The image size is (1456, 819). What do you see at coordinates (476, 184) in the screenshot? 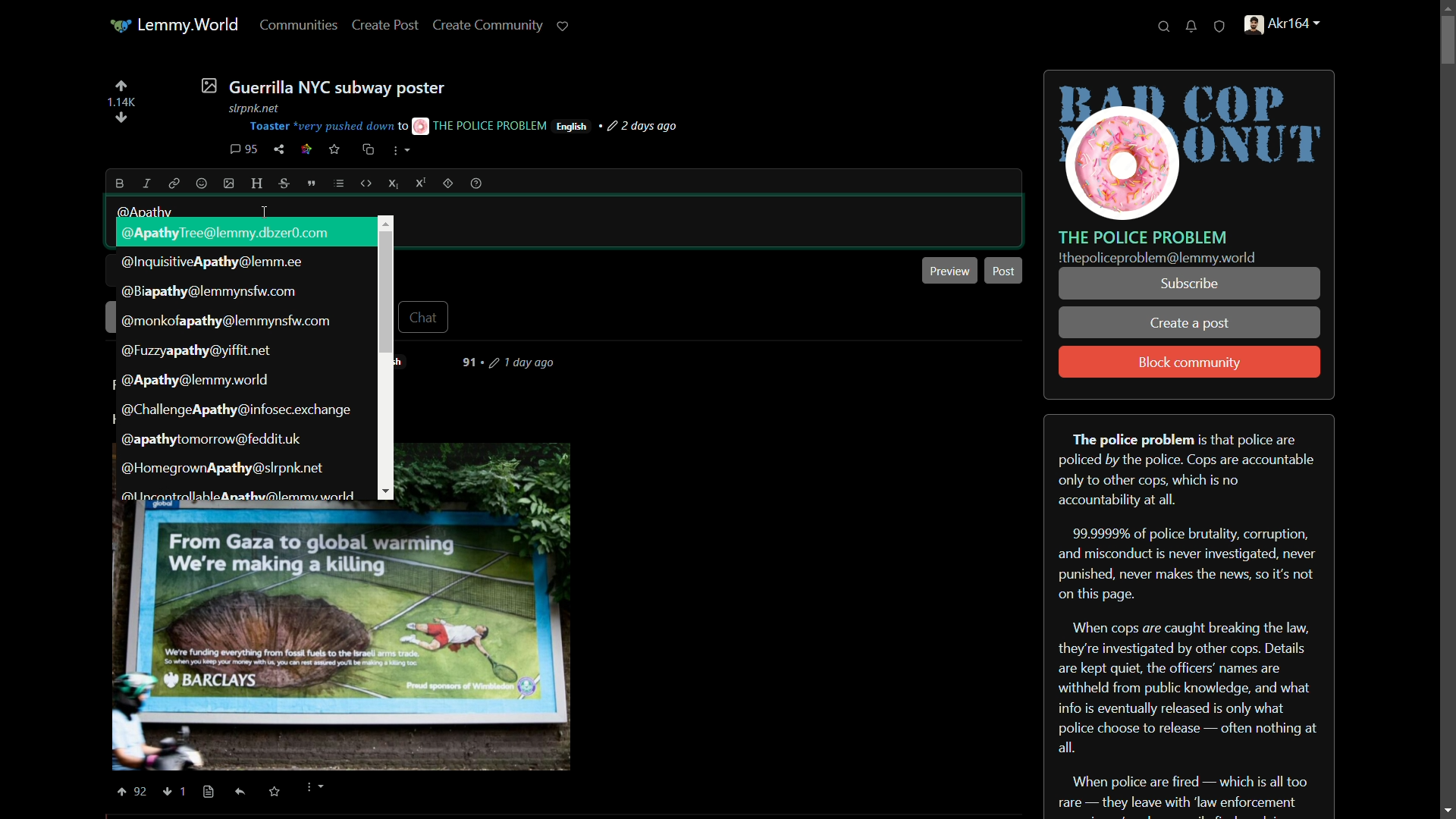
I see `help` at bounding box center [476, 184].